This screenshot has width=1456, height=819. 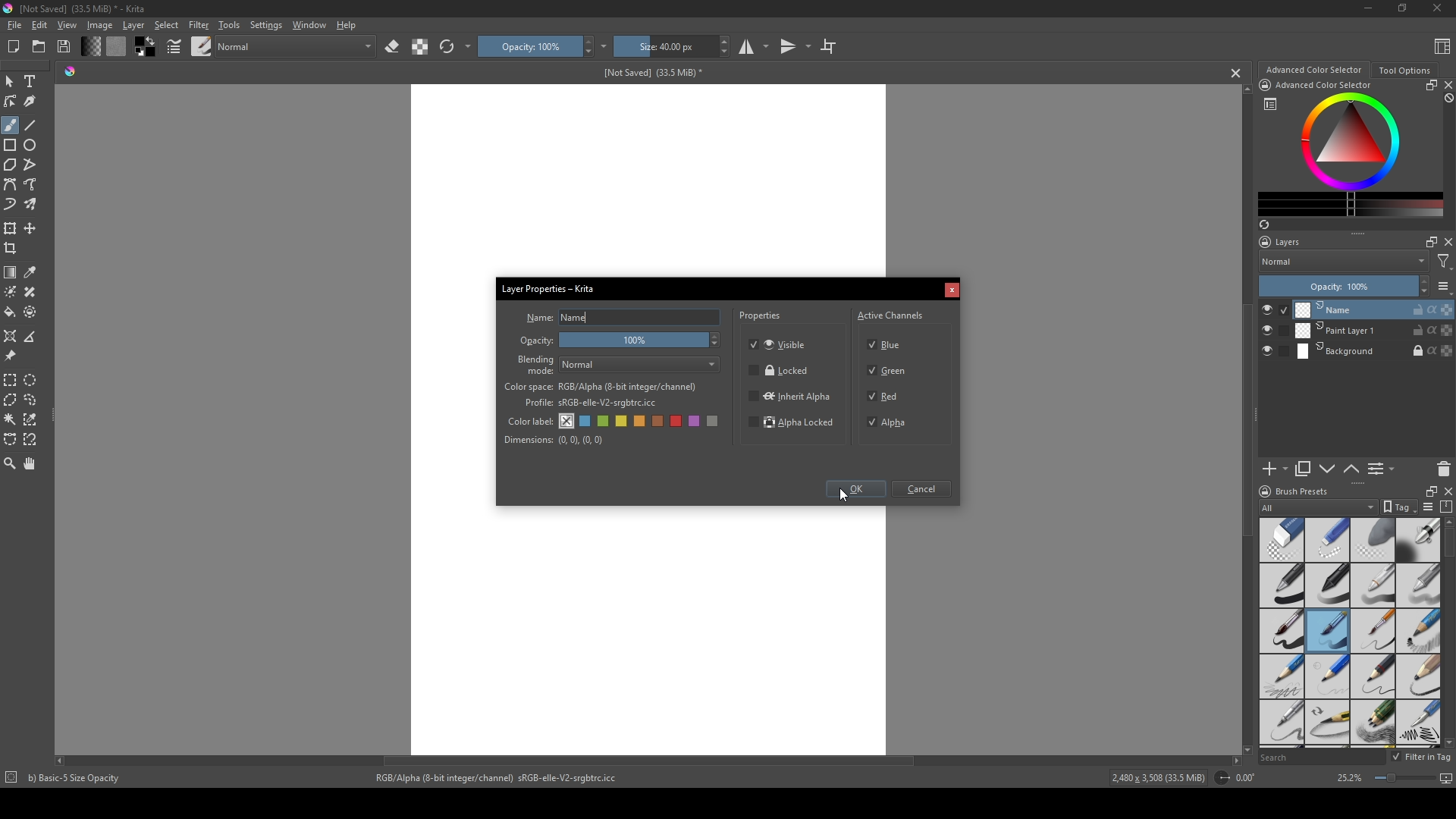 I want to click on lasso, so click(x=32, y=400).